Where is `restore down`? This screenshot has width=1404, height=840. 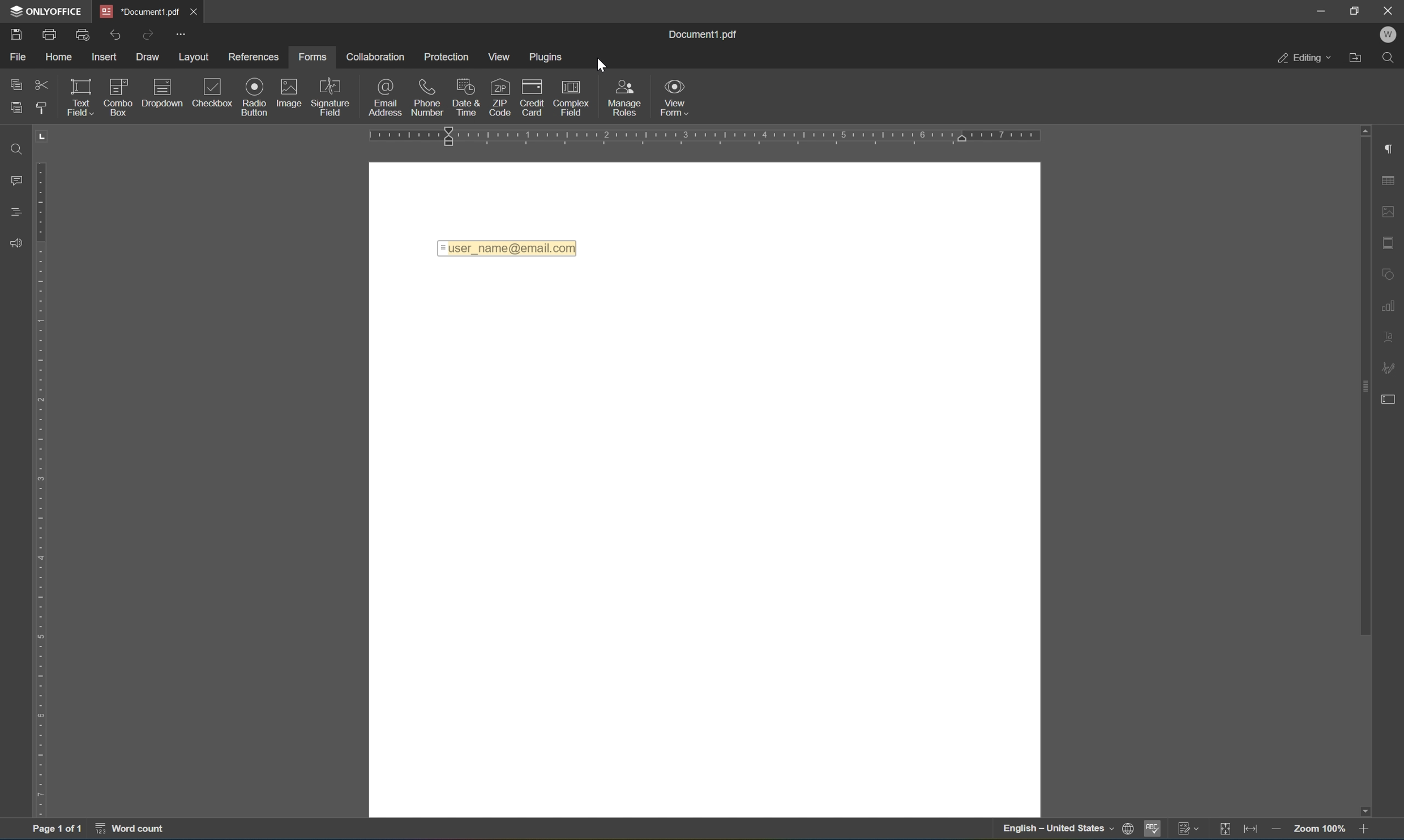 restore down is located at coordinates (1354, 12).